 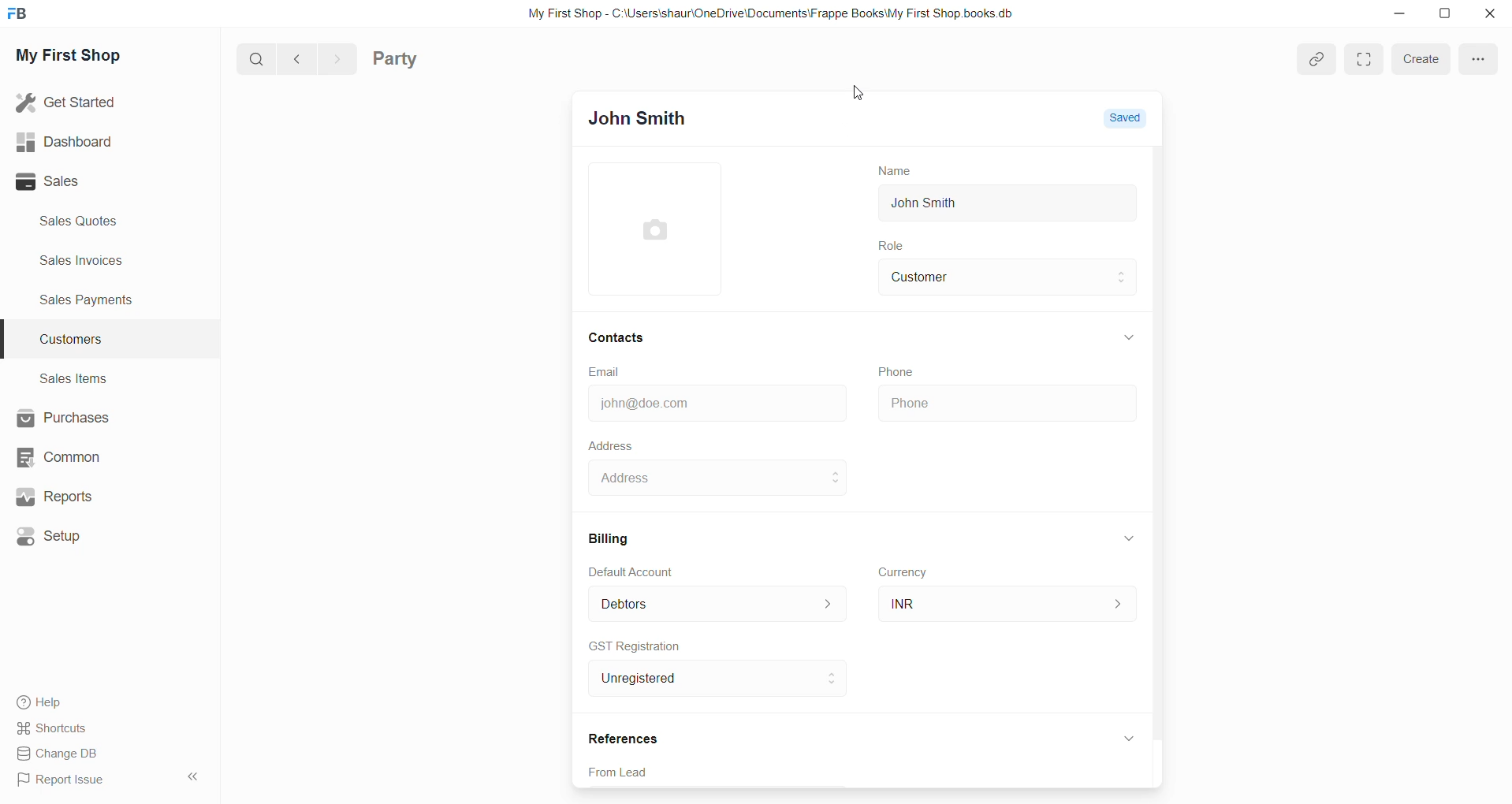 What do you see at coordinates (1477, 58) in the screenshot?
I see `more options` at bounding box center [1477, 58].